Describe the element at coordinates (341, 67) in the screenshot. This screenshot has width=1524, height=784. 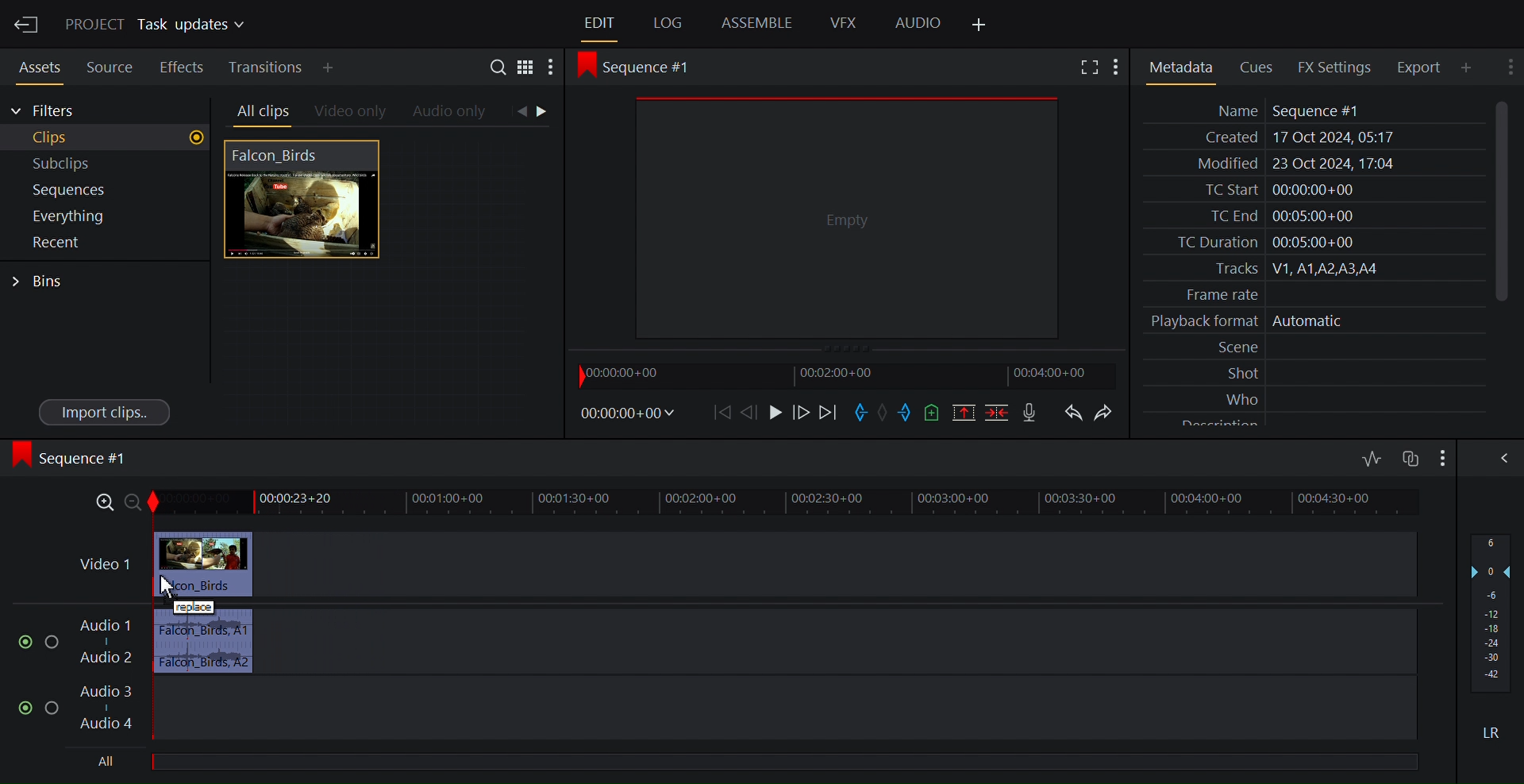
I see `Add` at that location.